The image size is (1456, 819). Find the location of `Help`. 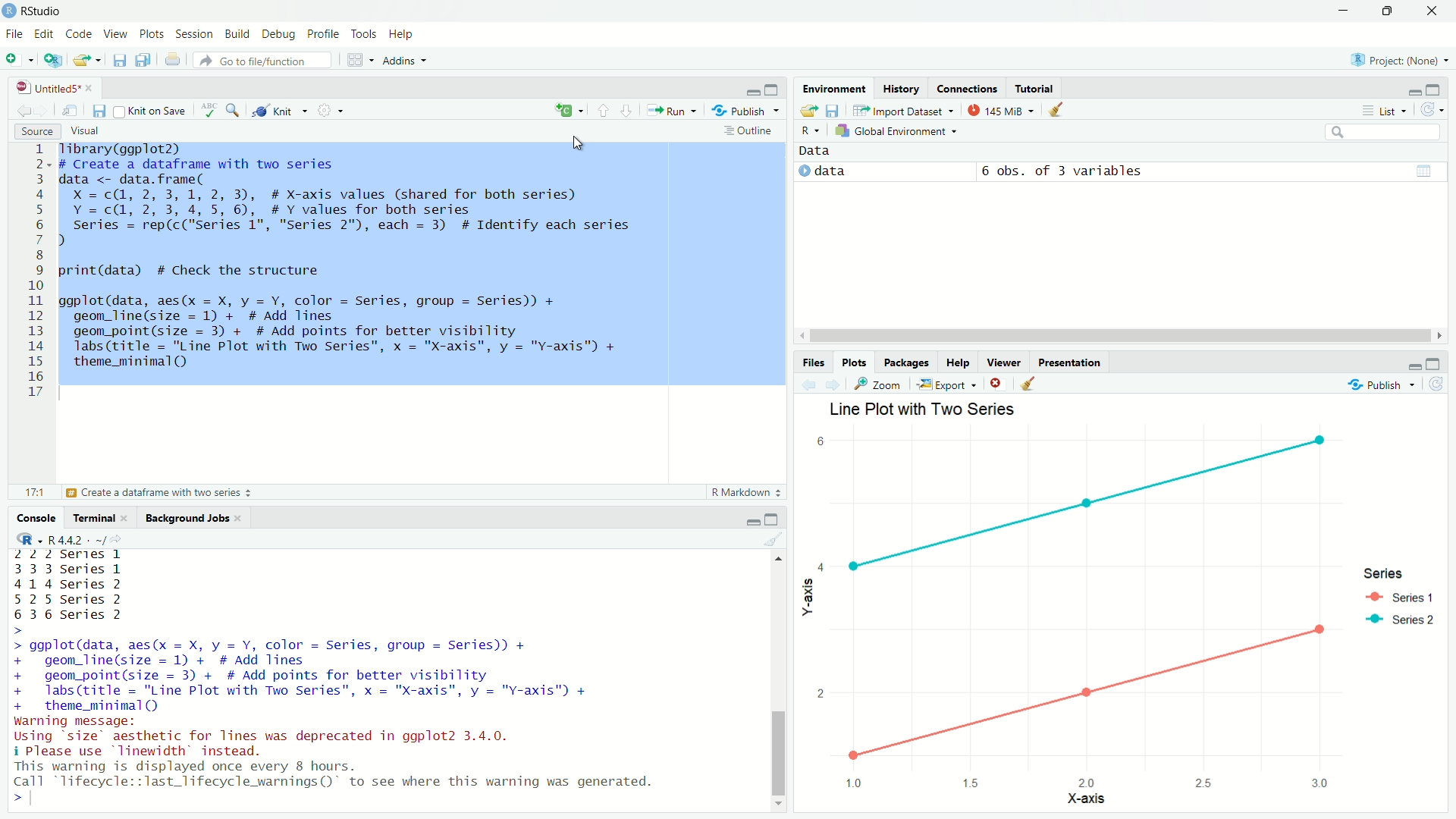

Help is located at coordinates (956, 362).